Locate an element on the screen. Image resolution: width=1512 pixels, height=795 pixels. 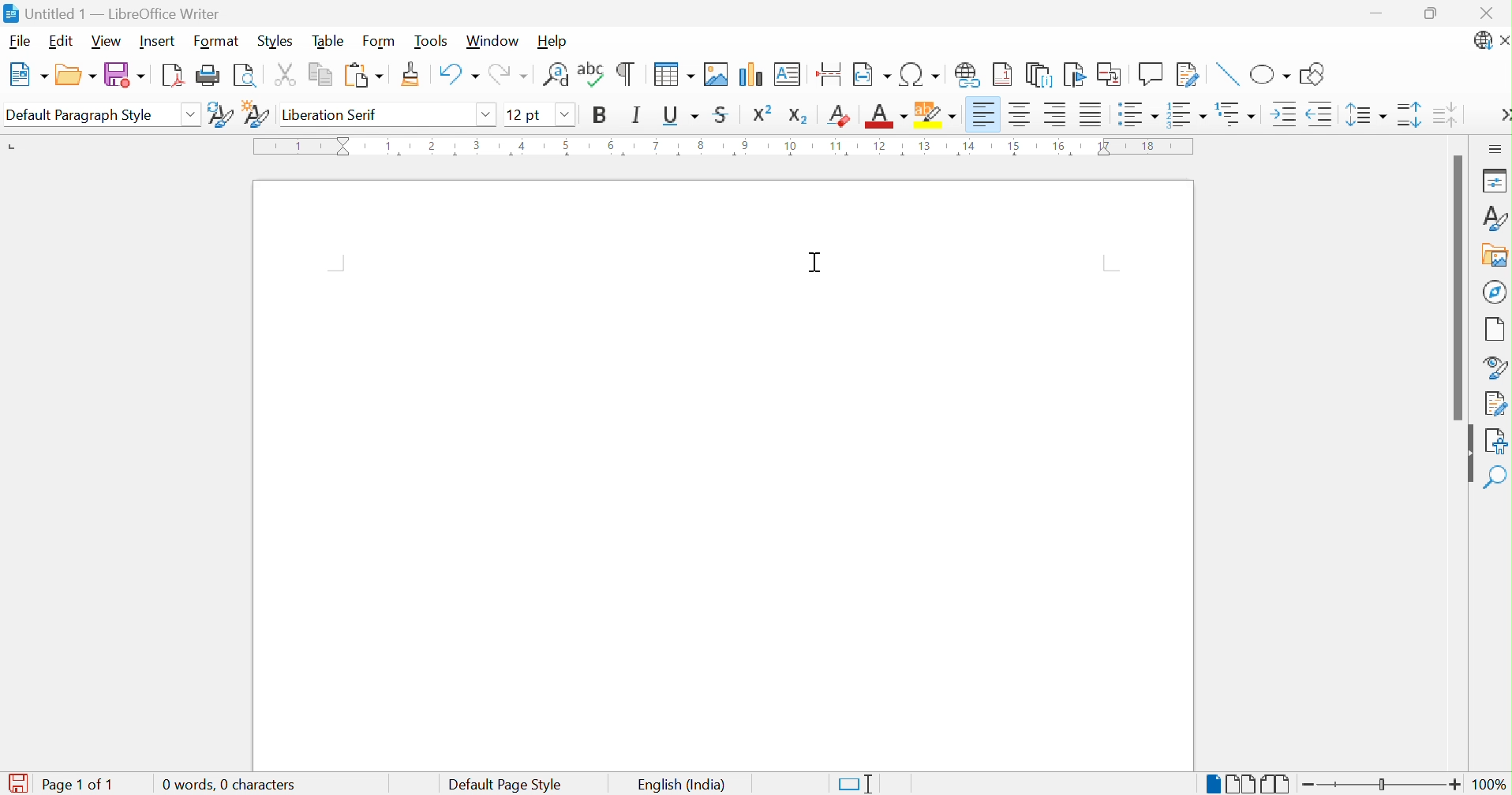
Drop down is located at coordinates (564, 114).